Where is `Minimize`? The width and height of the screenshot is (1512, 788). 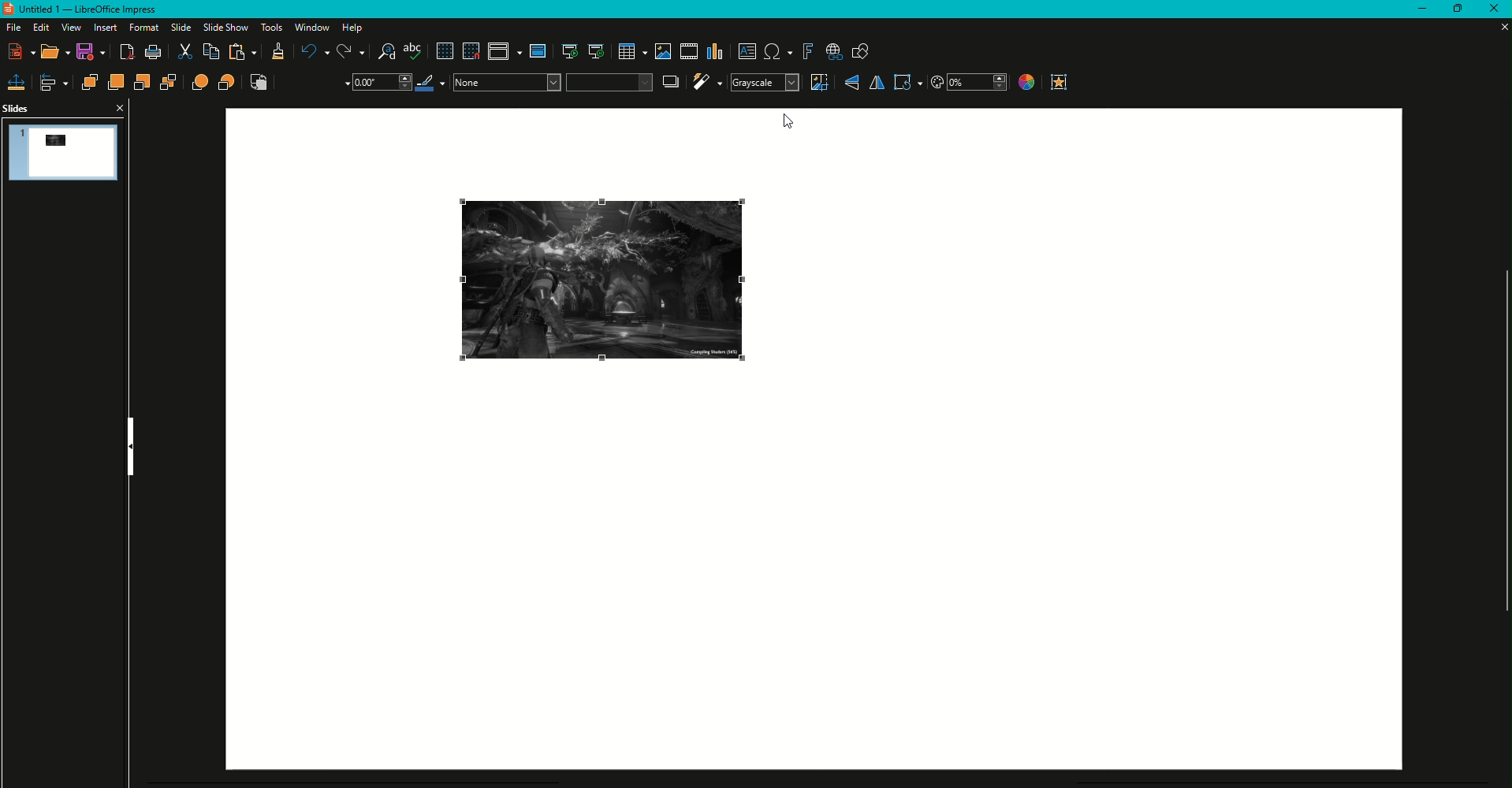
Minimize is located at coordinates (1415, 9).